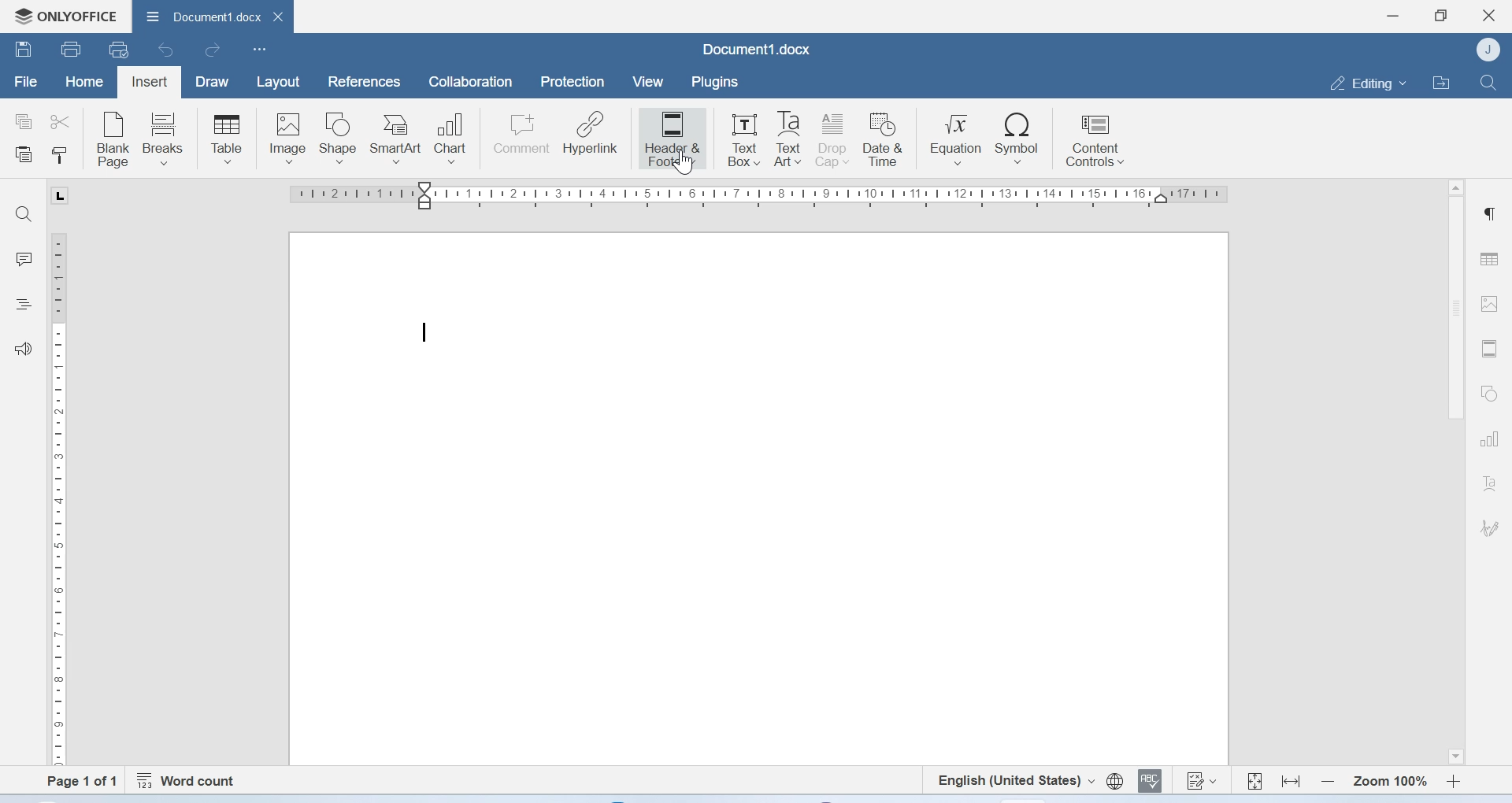  What do you see at coordinates (70, 48) in the screenshot?
I see `Print file` at bounding box center [70, 48].